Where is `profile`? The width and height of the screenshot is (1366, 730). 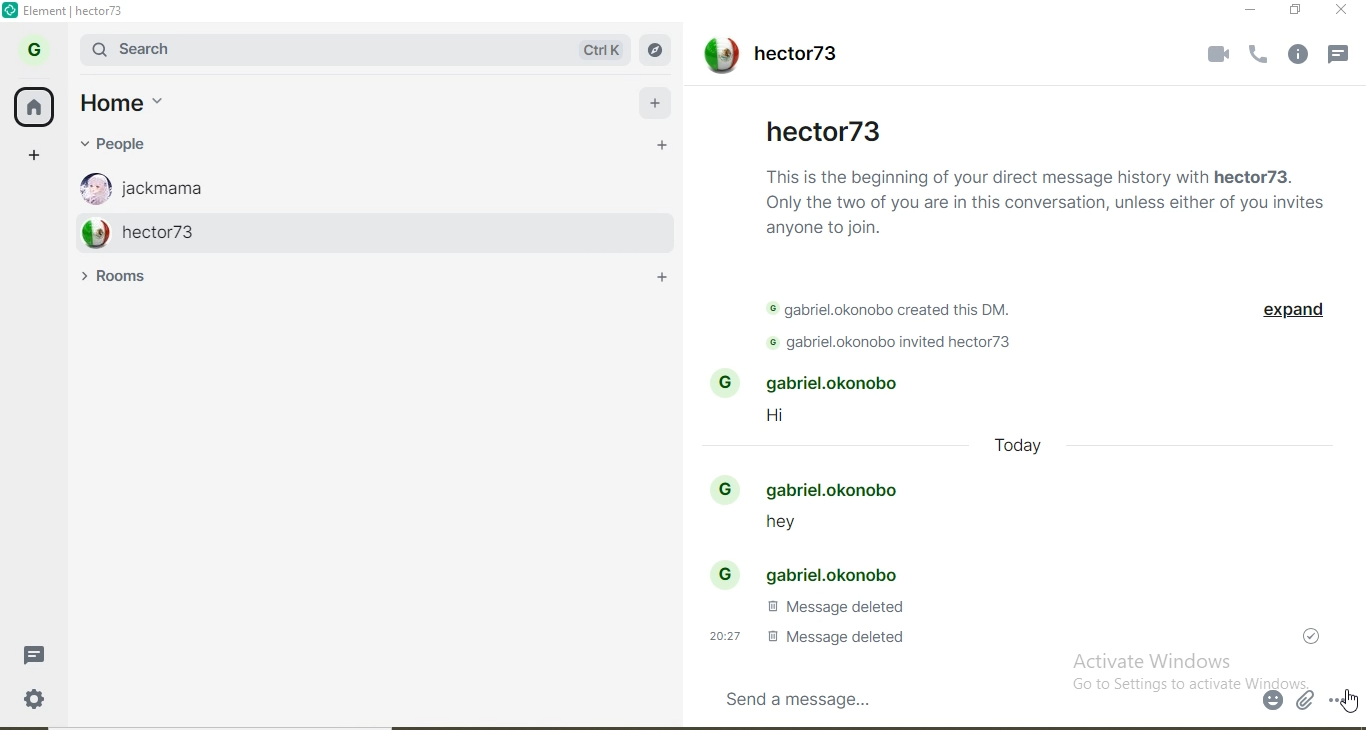 profile is located at coordinates (39, 47).